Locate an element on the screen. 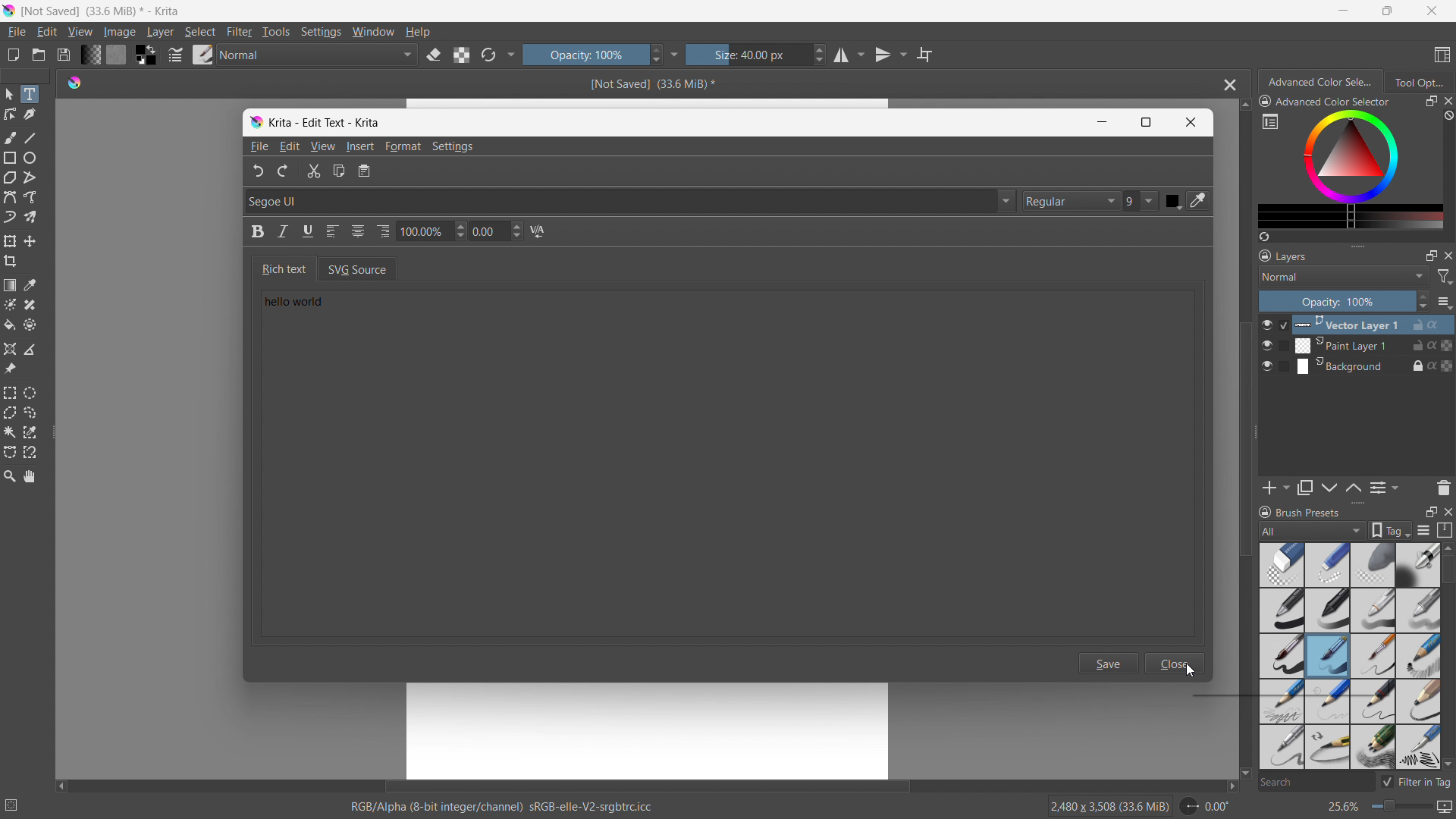  freehand selection tool is located at coordinates (30, 413).